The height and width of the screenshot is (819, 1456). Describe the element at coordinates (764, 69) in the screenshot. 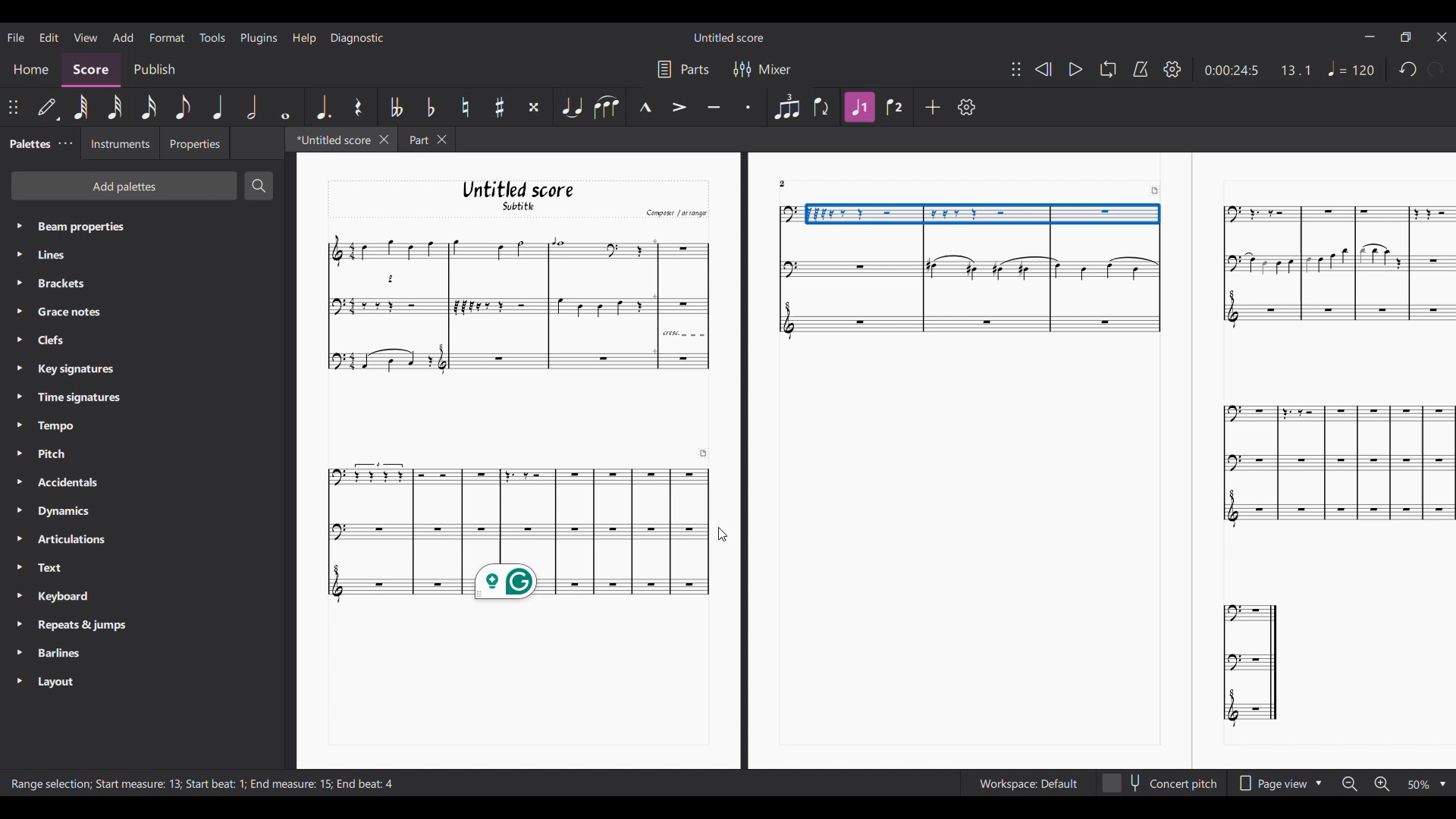

I see `Mixer settings` at that location.